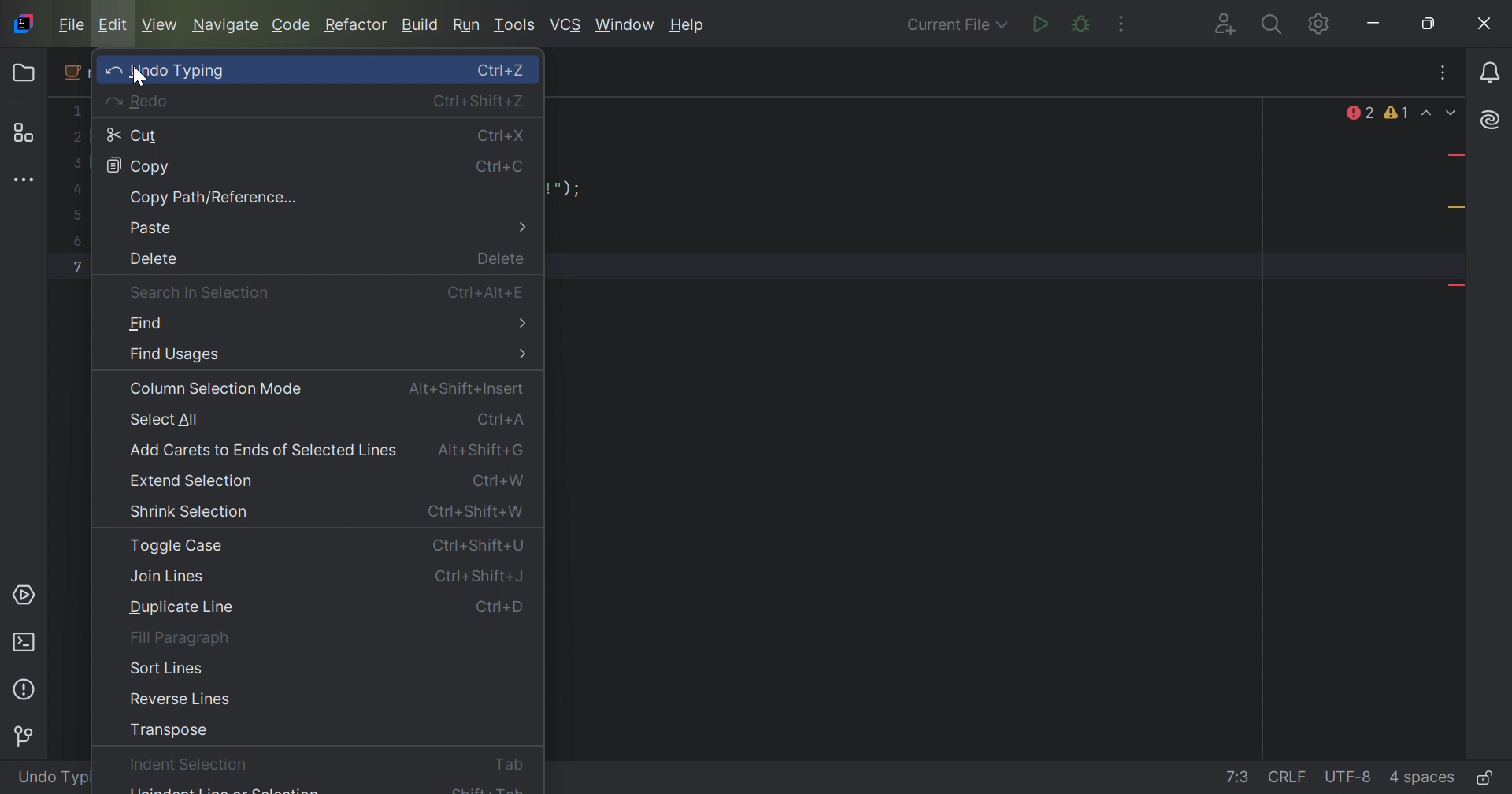  What do you see at coordinates (476, 544) in the screenshot?
I see `Ctrl+Shift+U` at bounding box center [476, 544].